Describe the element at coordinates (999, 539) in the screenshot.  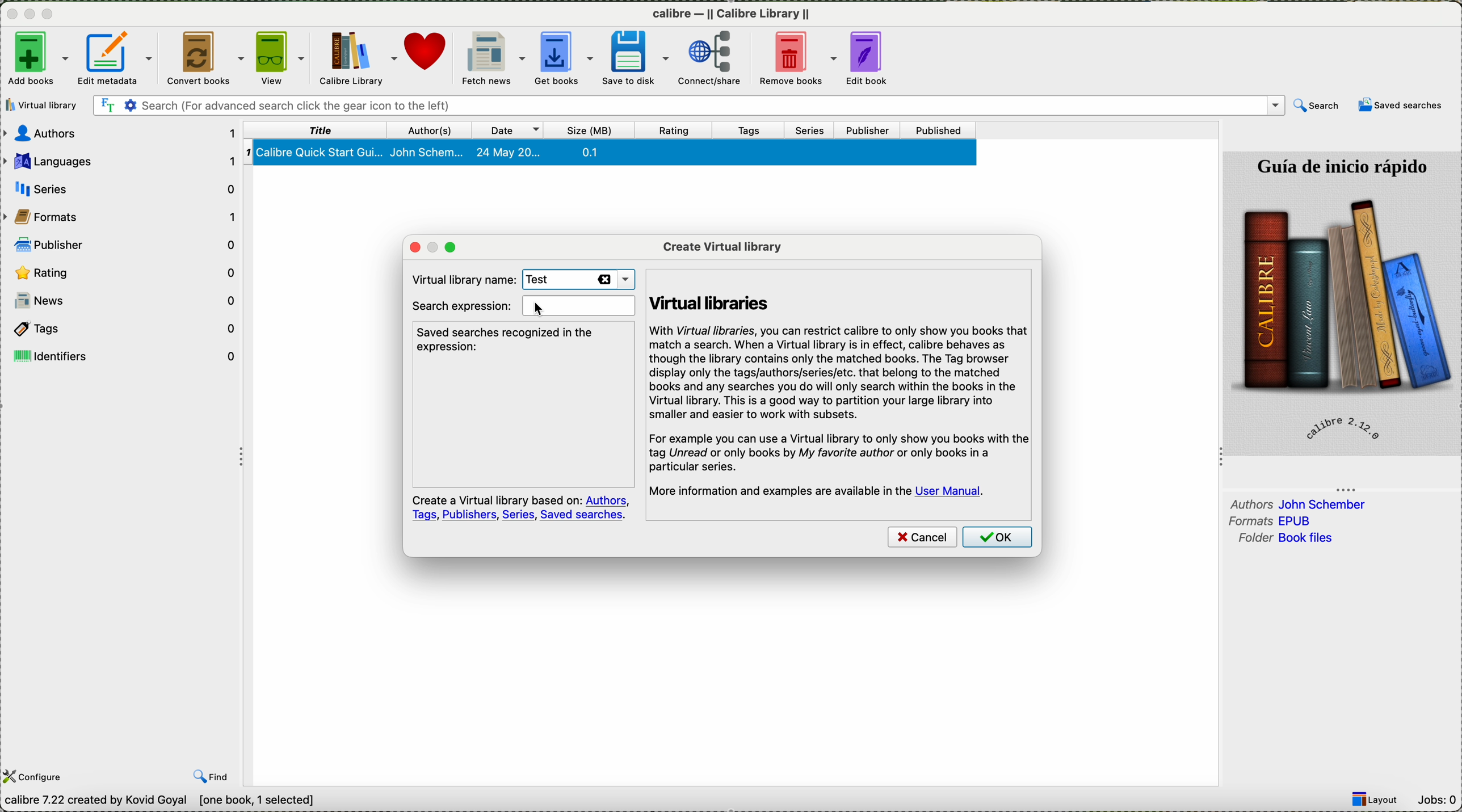
I see `OK button` at that location.